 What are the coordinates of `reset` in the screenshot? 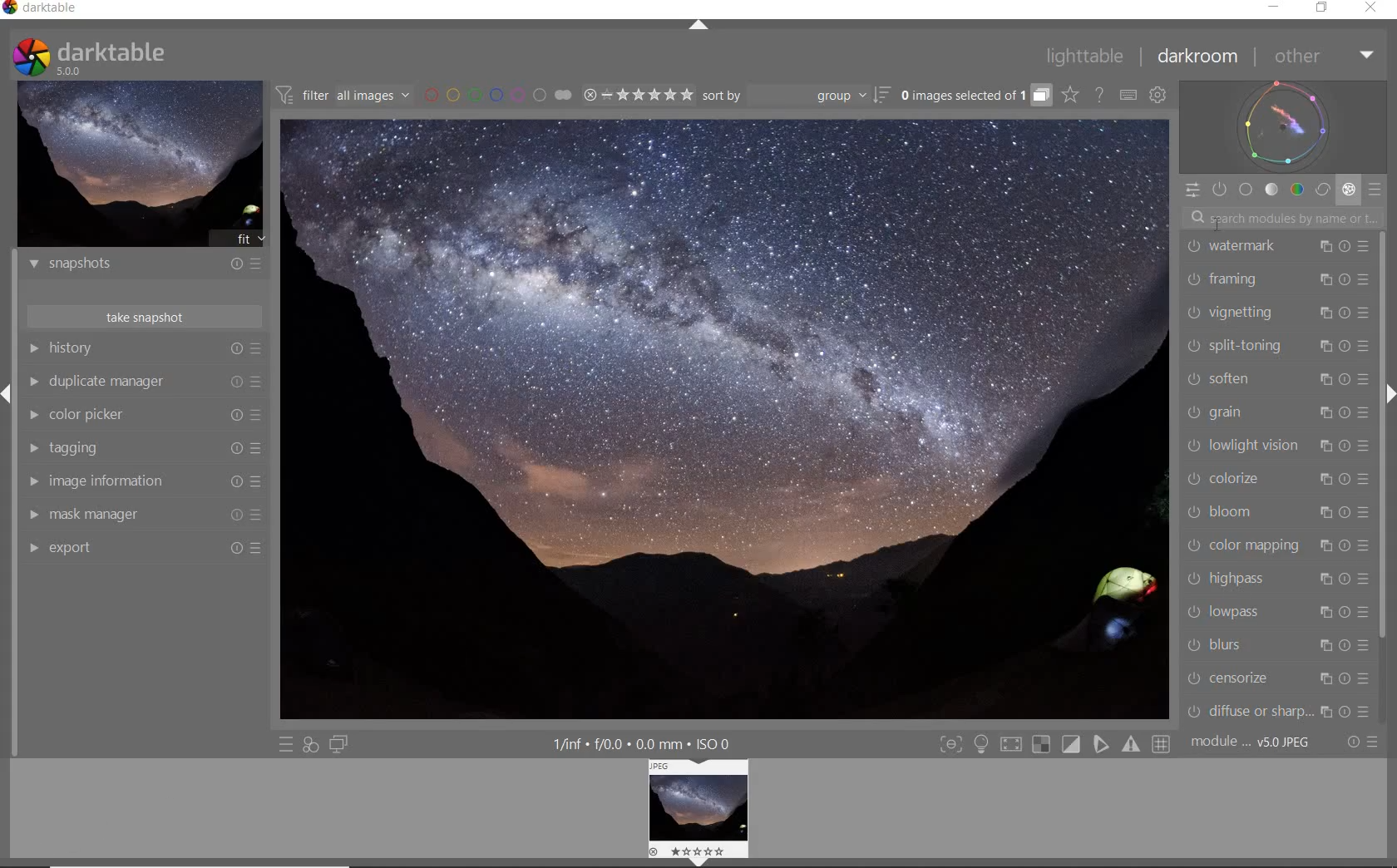 It's located at (233, 263).